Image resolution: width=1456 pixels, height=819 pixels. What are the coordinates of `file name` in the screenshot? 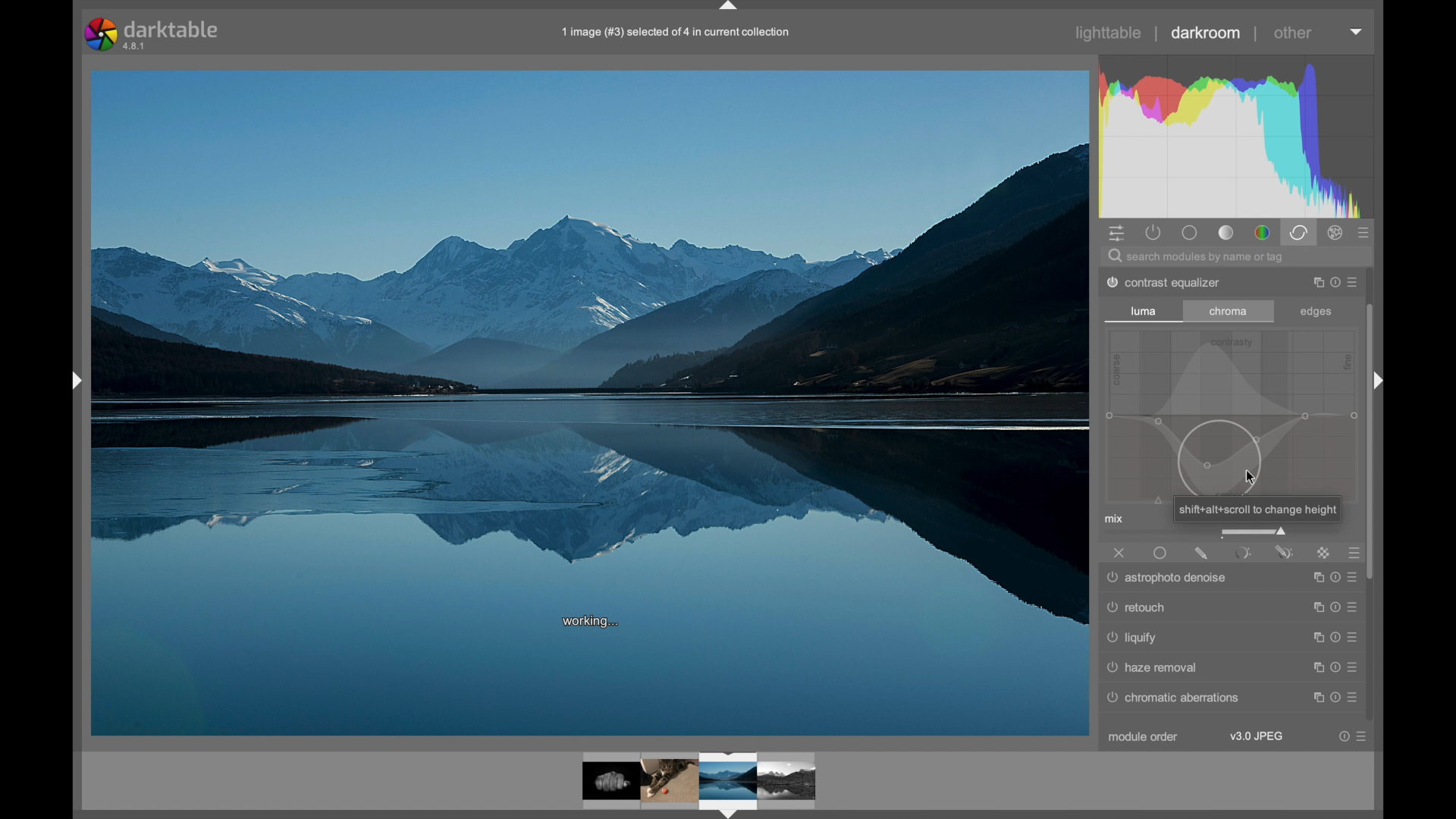 It's located at (673, 33).